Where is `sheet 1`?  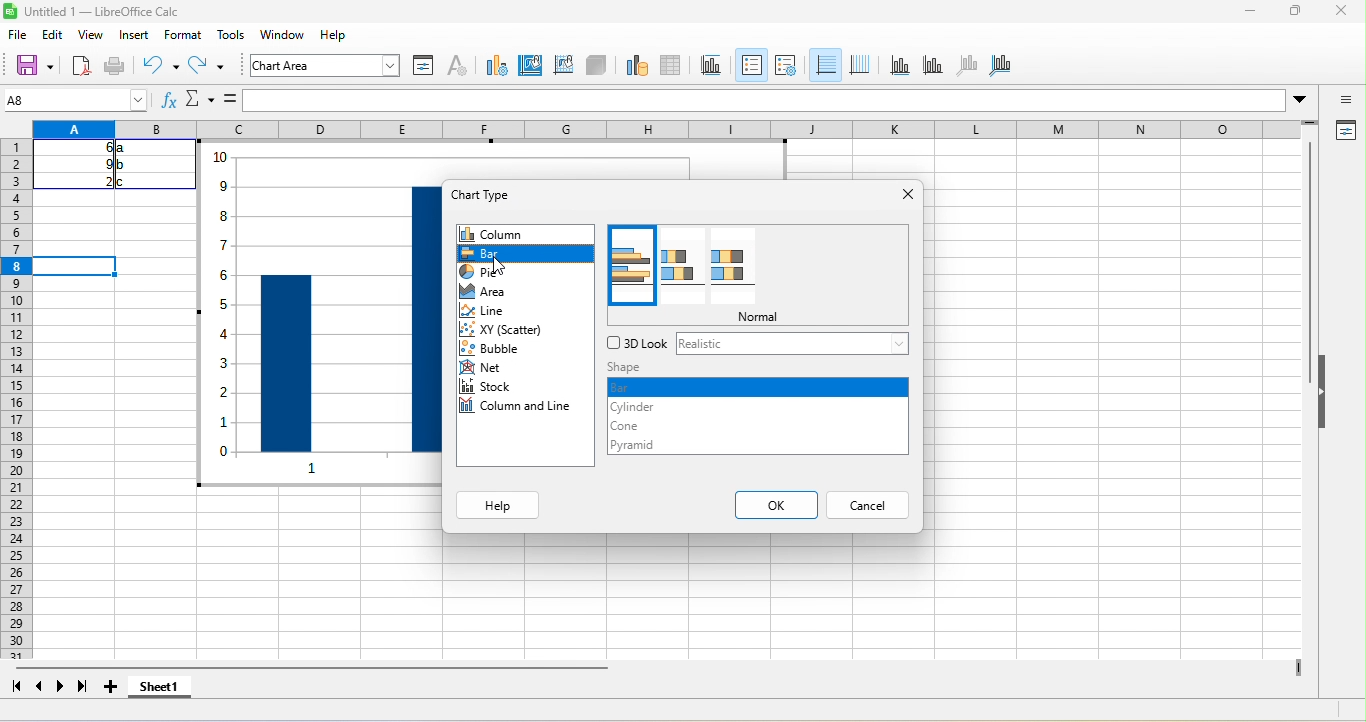 sheet 1 is located at coordinates (160, 685).